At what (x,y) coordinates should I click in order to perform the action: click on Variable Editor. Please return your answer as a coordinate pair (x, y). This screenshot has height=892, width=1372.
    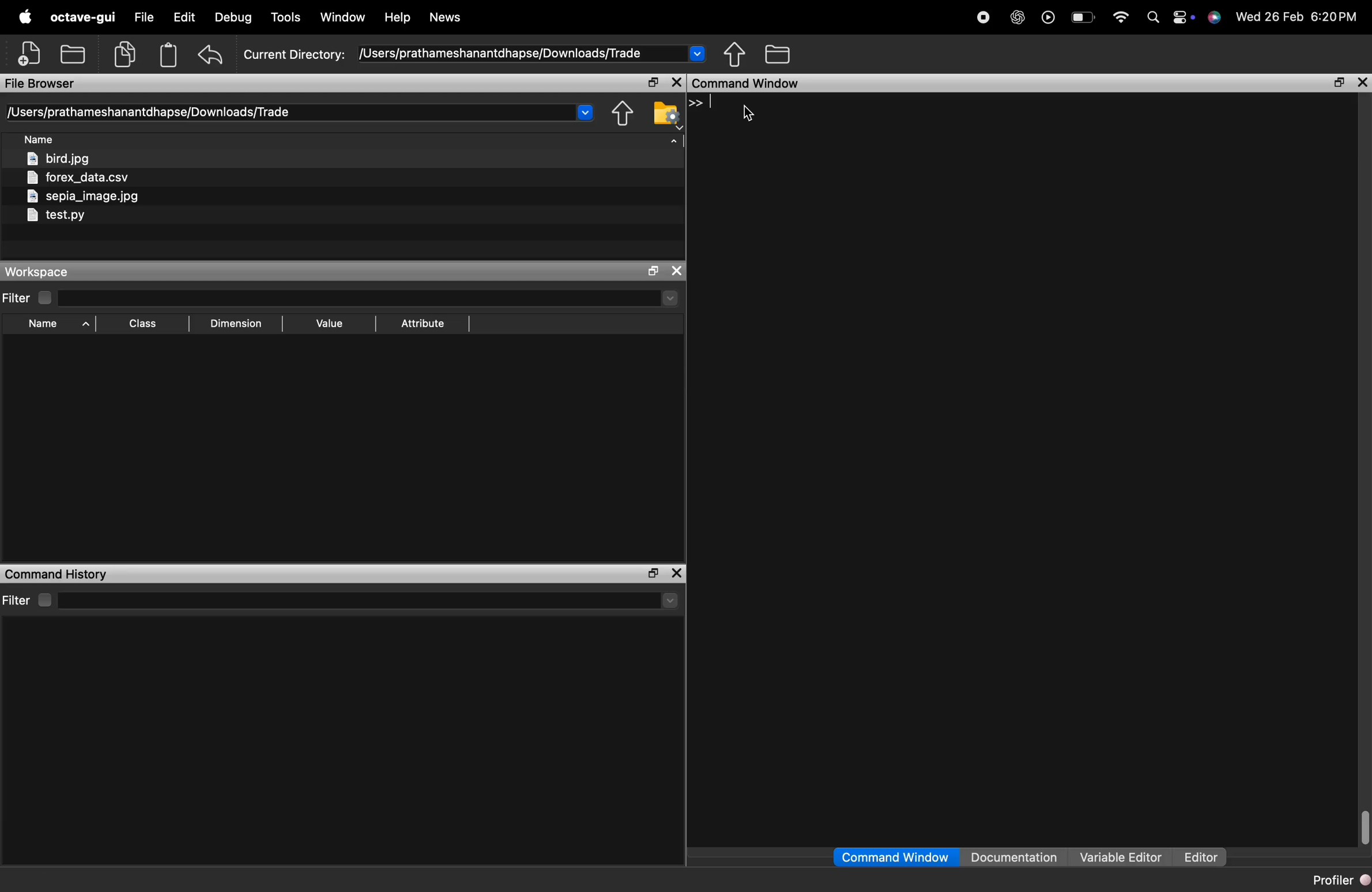
    Looking at the image, I should click on (1122, 856).